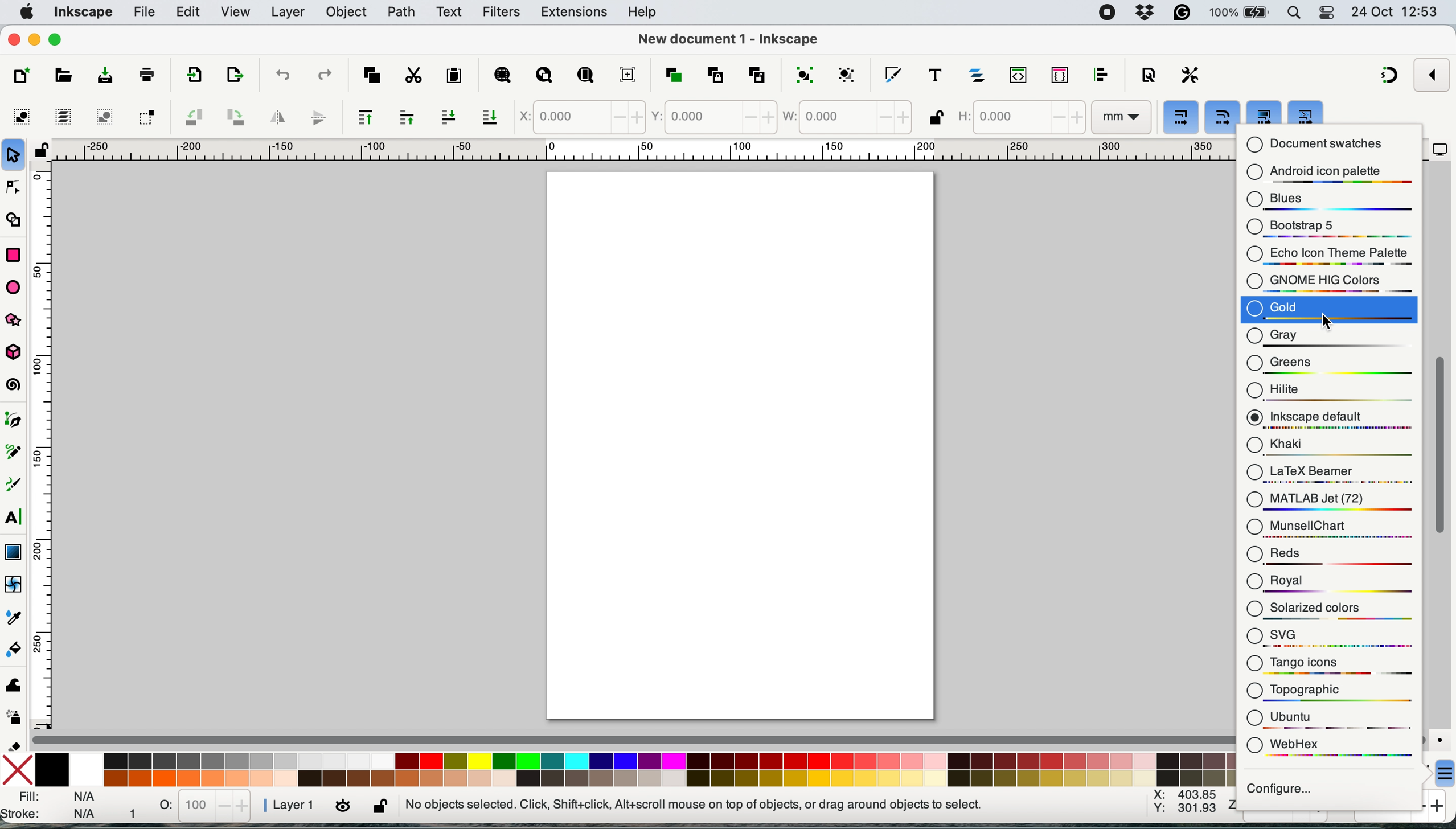 This screenshot has height=829, width=1456. I want to click on zoom selection, so click(502, 76).